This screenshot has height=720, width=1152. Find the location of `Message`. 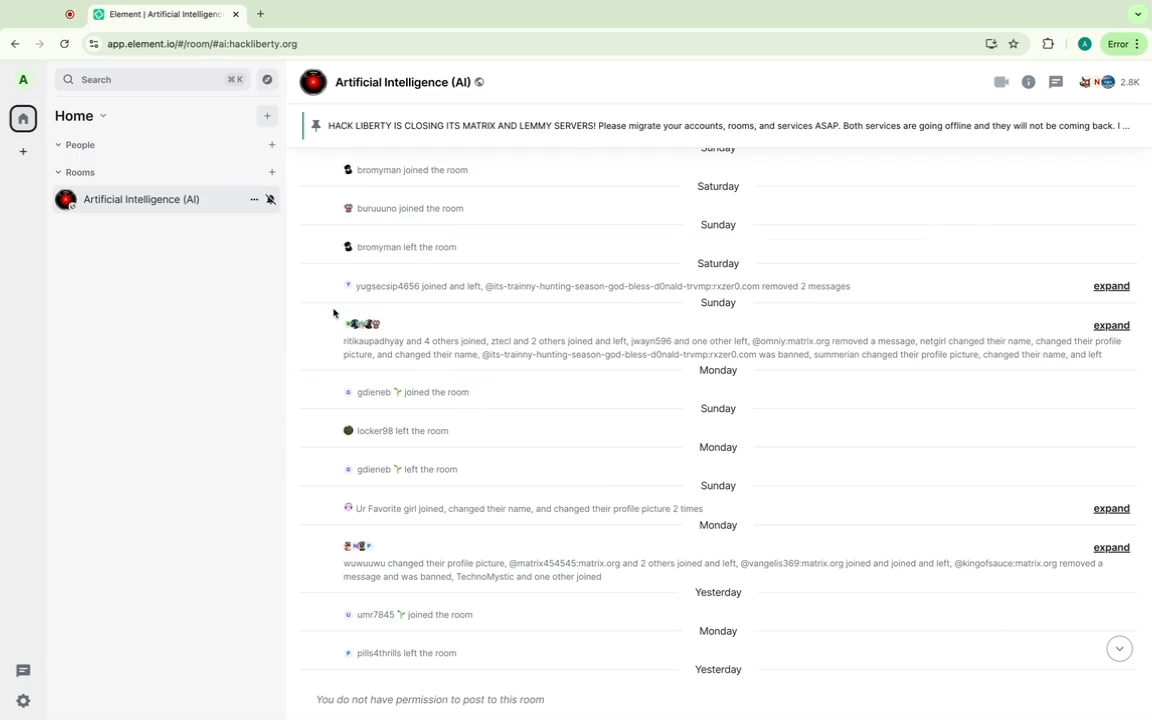

Message is located at coordinates (393, 432).